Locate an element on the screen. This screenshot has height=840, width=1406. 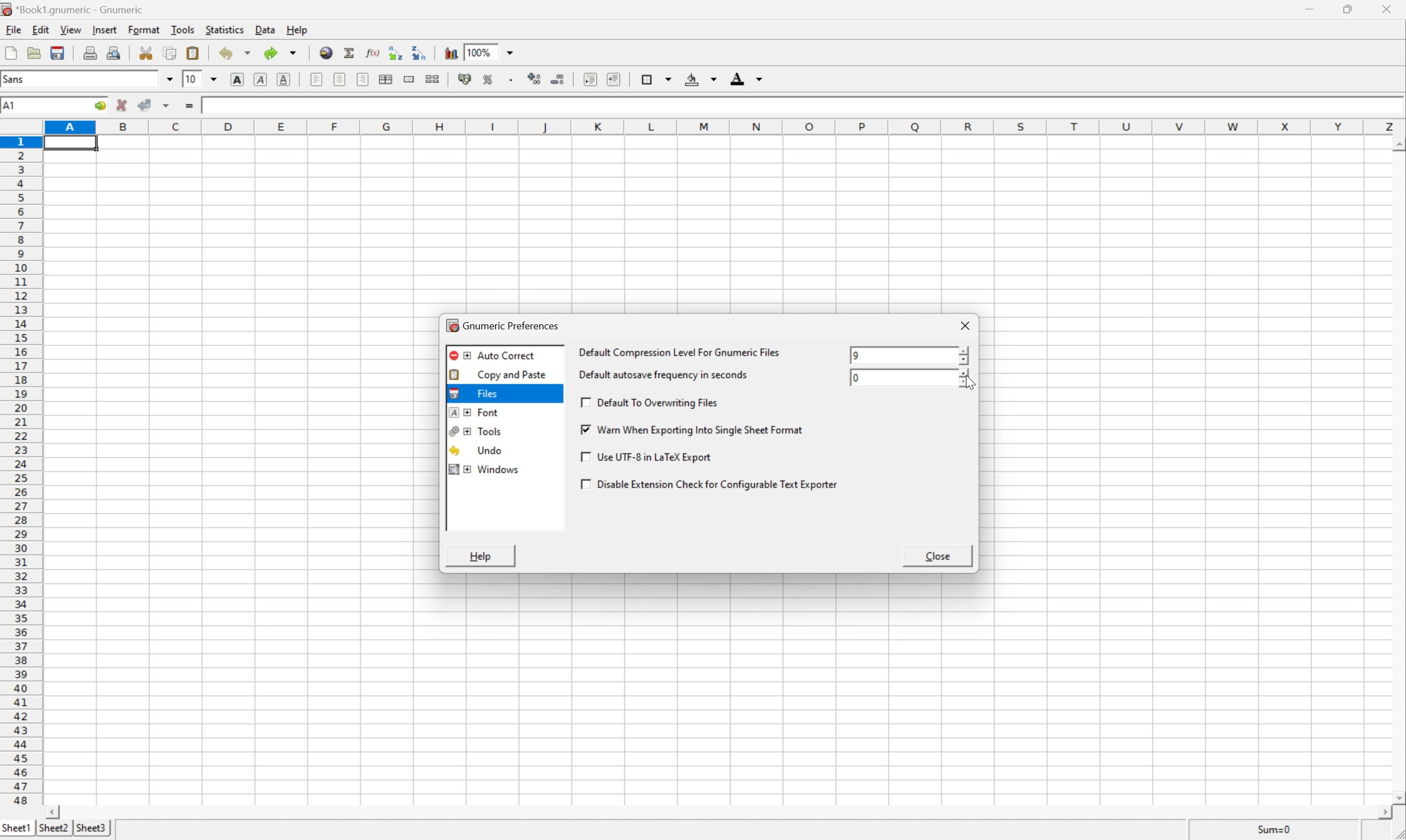
slider is located at coordinates (966, 377).